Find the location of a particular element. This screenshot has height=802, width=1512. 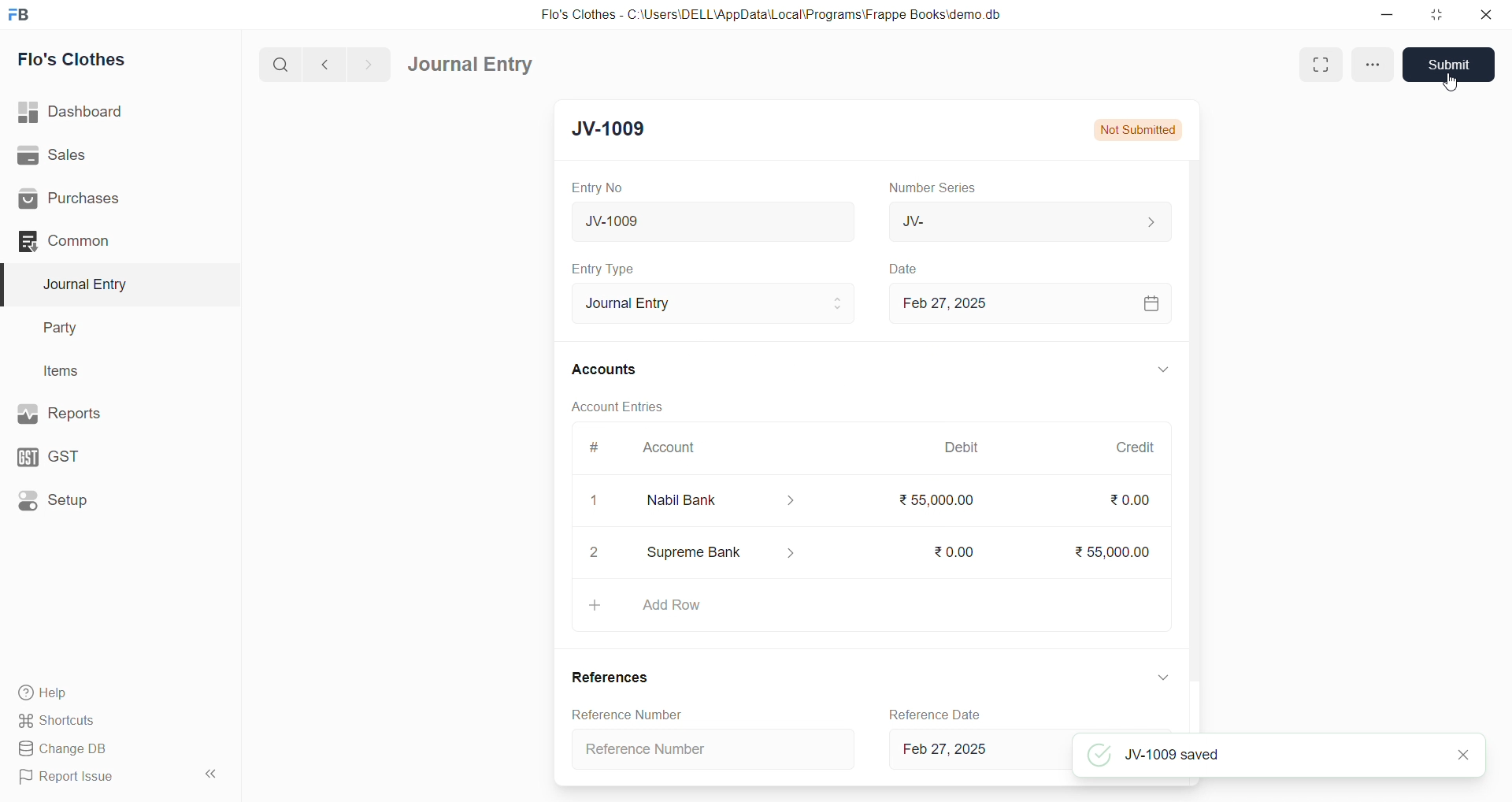

Change DB is located at coordinates (98, 748).